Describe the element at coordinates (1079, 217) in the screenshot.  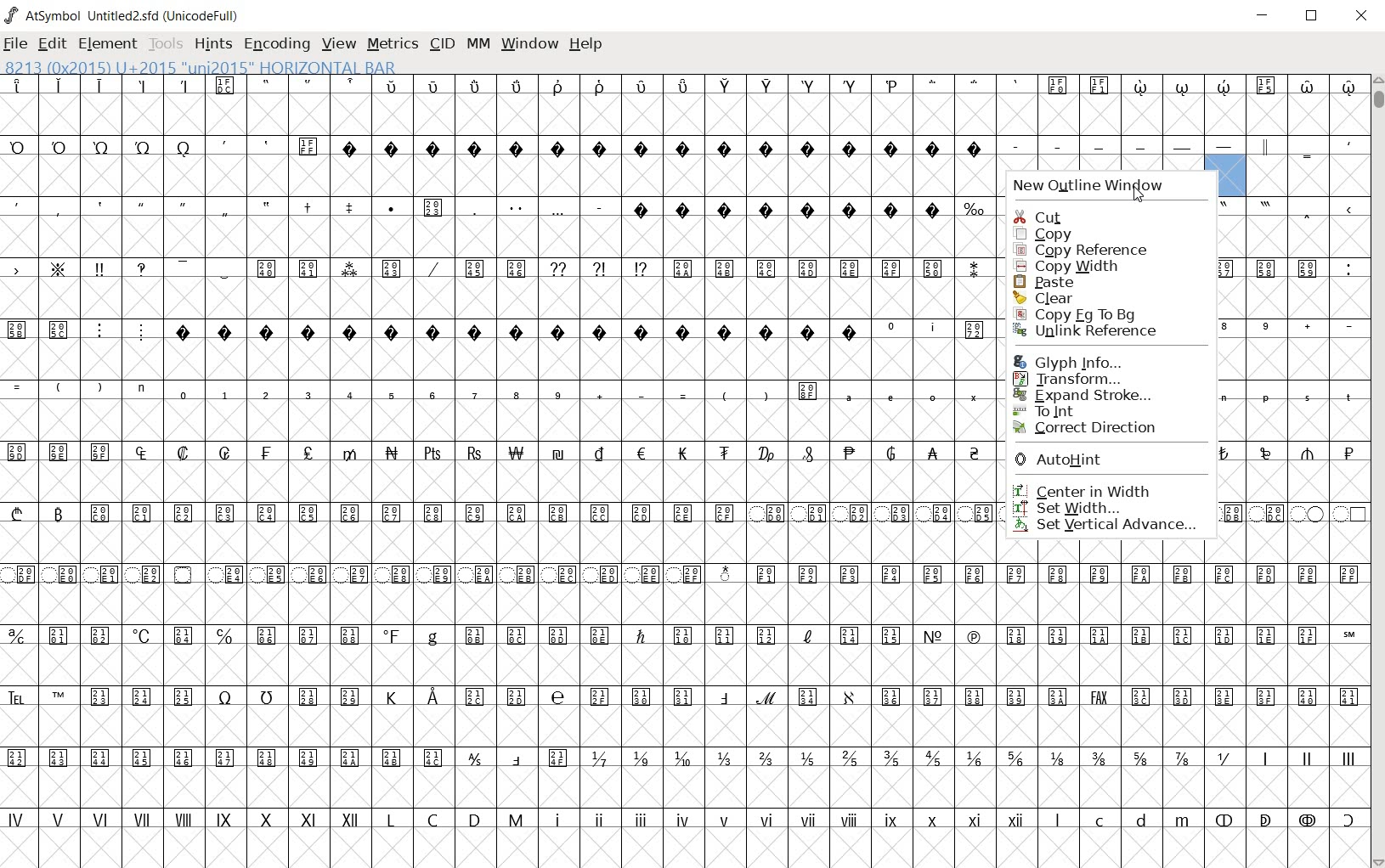
I see `cut` at that location.